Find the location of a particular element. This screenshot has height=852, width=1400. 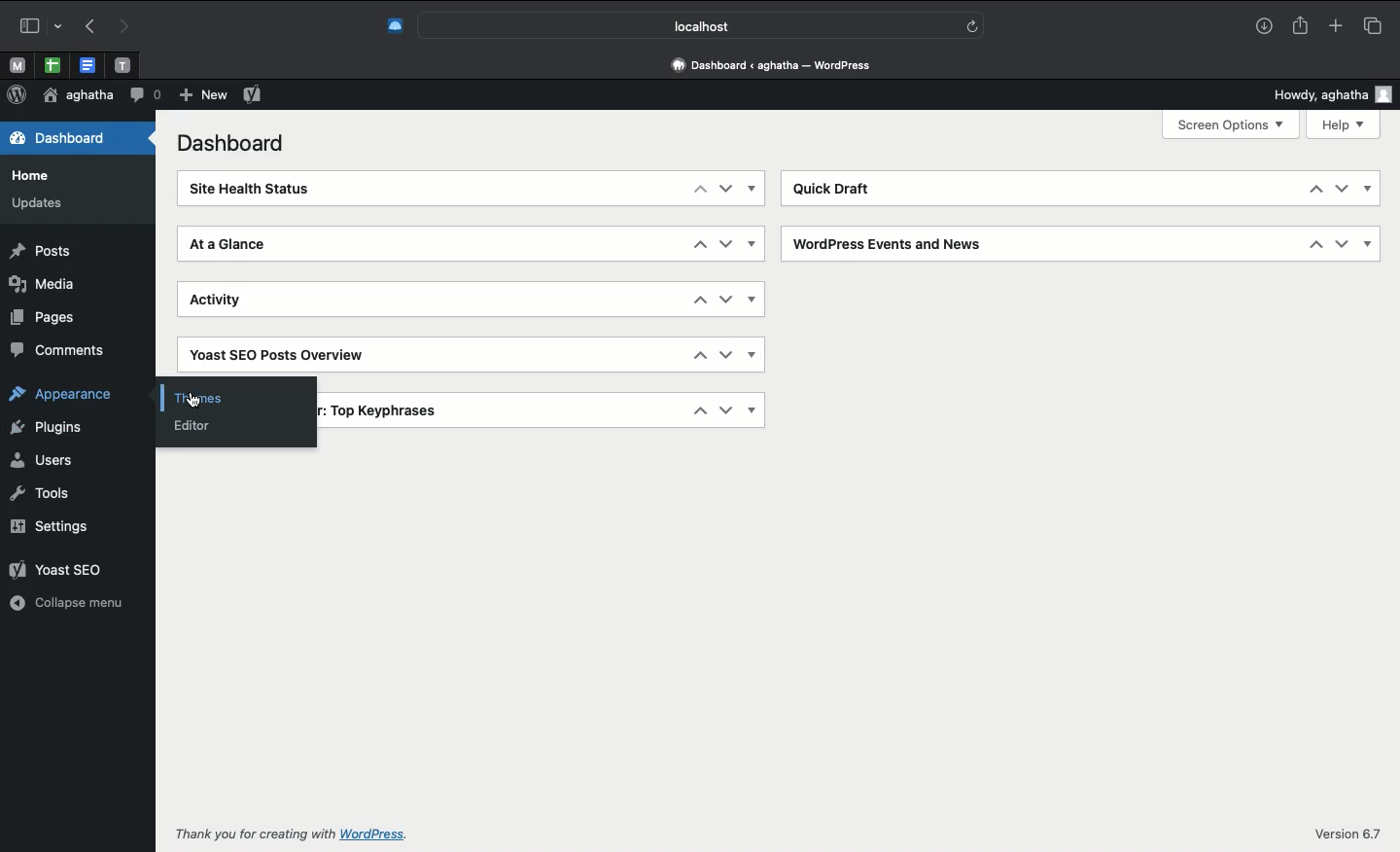

Home is located at coordinates (34, 175).